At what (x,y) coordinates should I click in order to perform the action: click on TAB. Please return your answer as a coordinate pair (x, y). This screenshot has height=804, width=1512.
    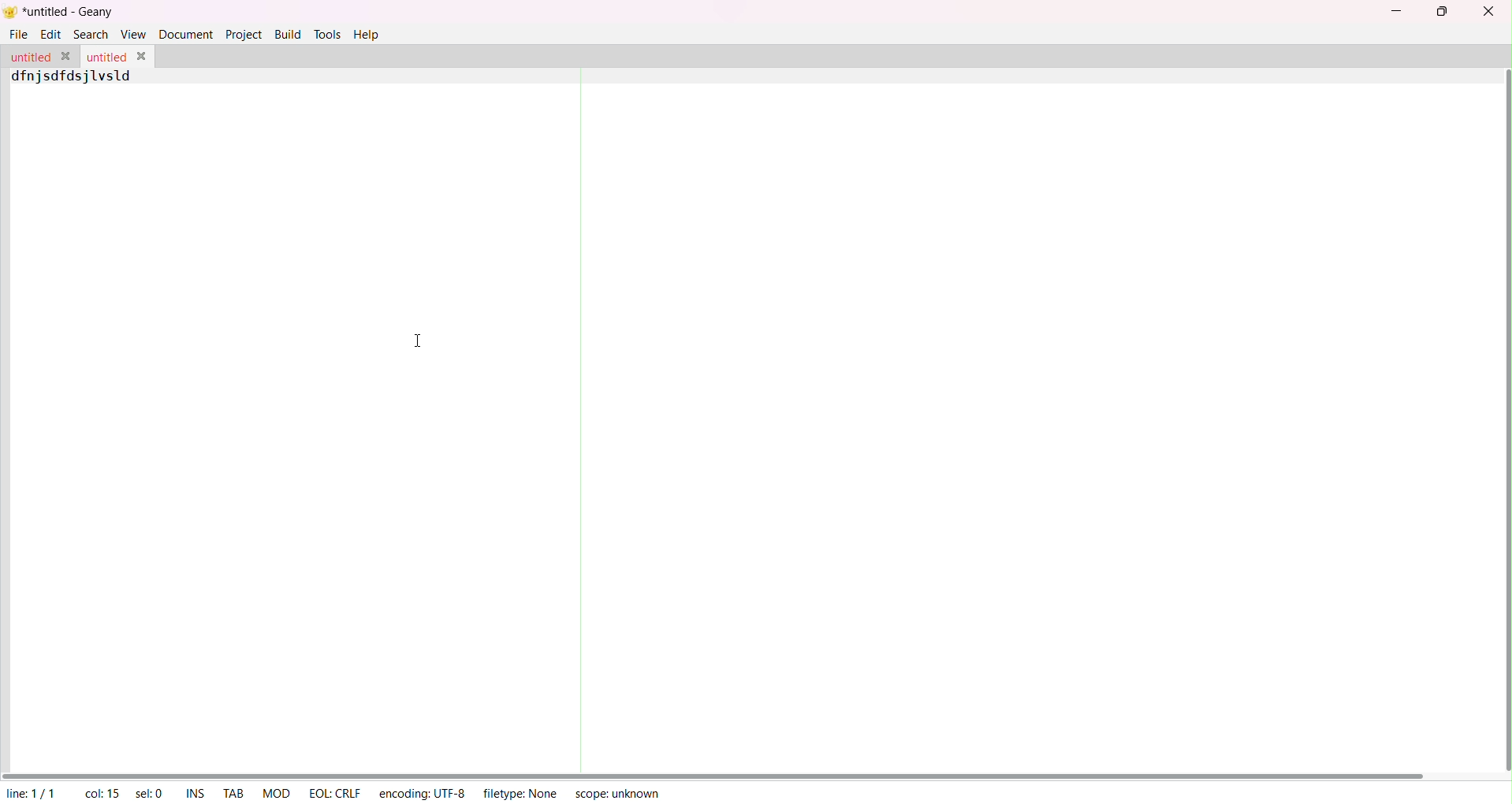
    Looking at the image, I should click on (235, 791).